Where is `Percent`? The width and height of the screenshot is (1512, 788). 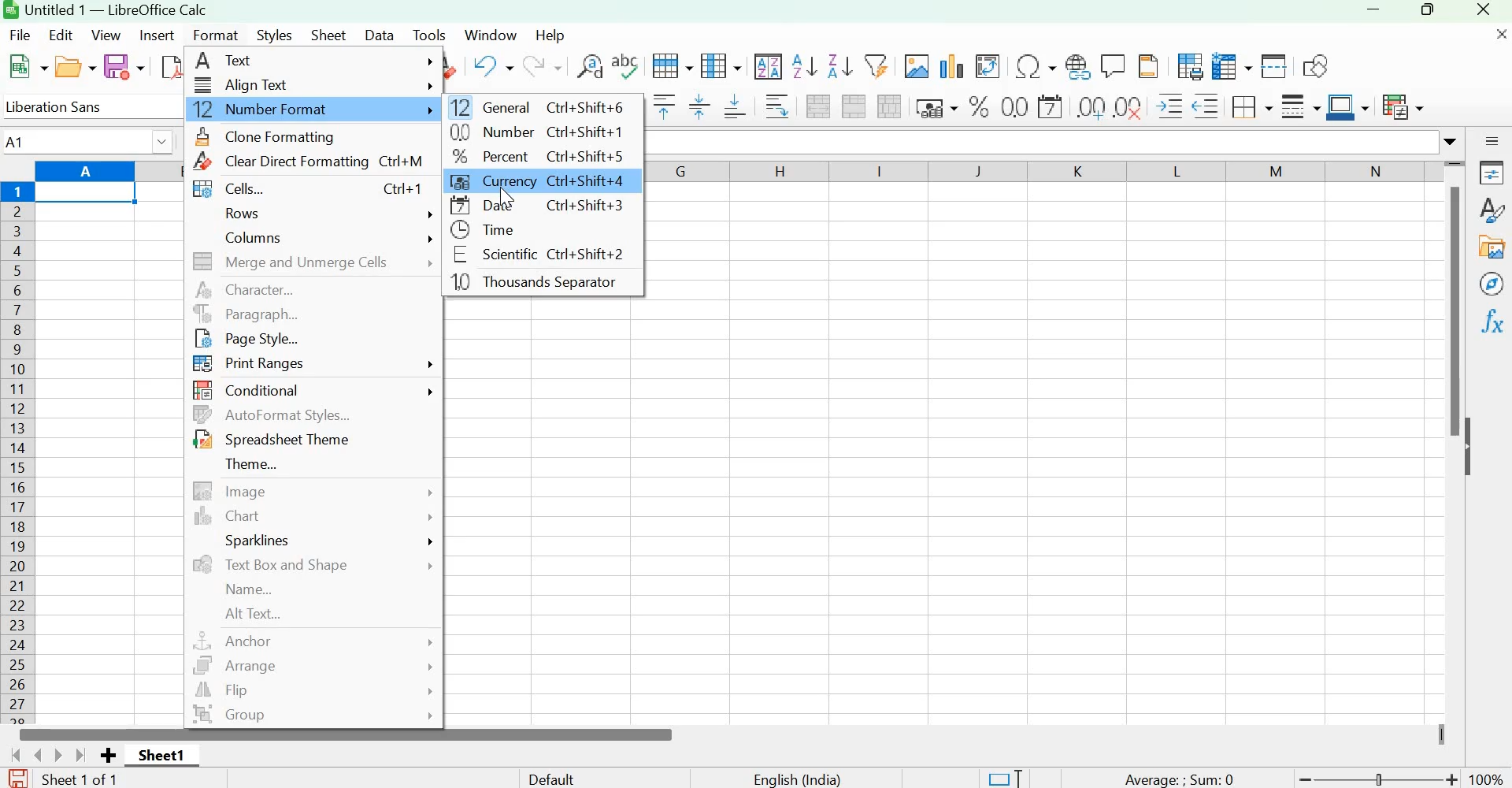 Percent is located at coordinates (532, 156).